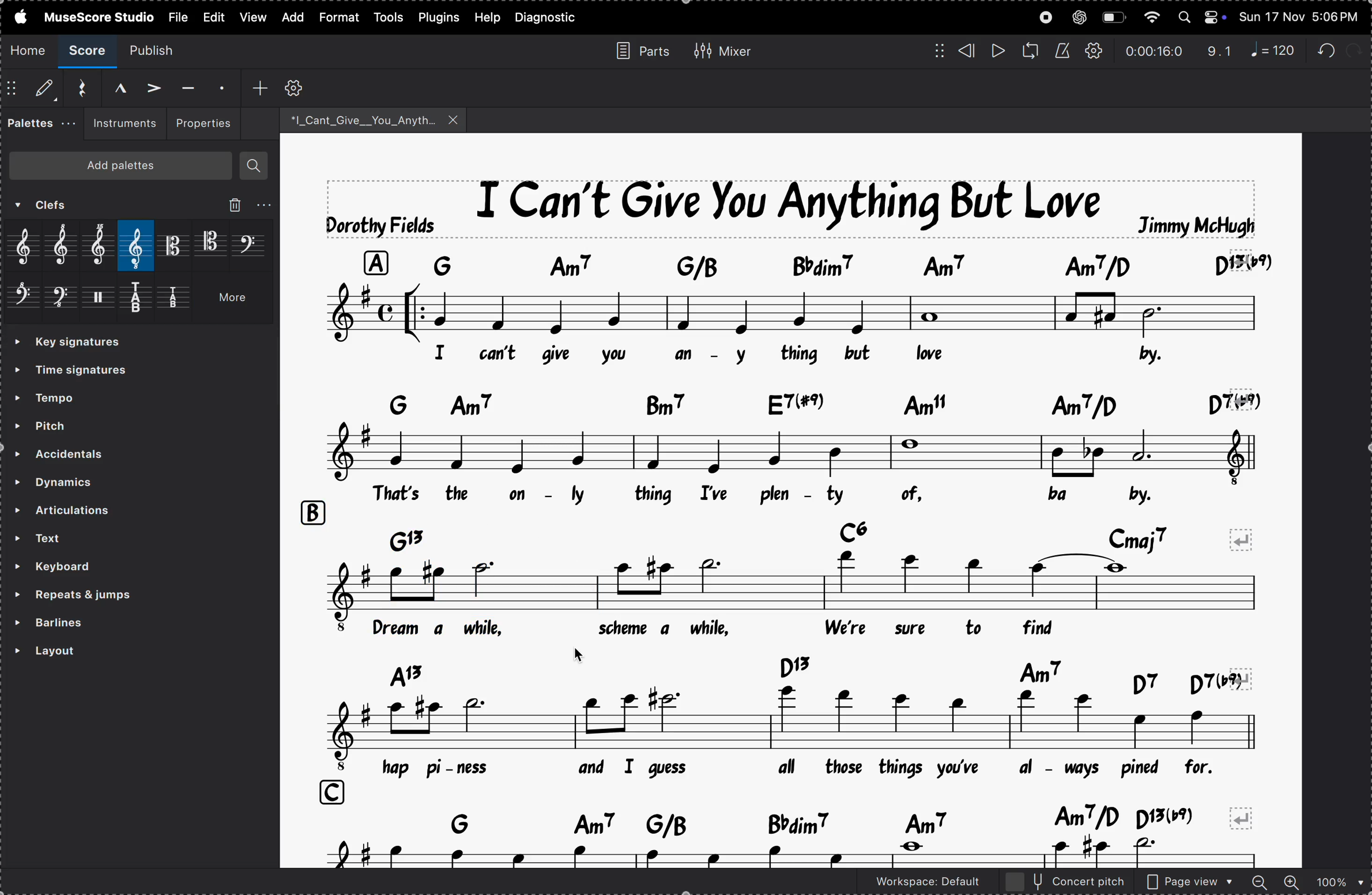 The width and height of the screenshot is (1372, 895). Describe the element at coordinates (85, 452) in the screenshot. I see `accidents` at that location.